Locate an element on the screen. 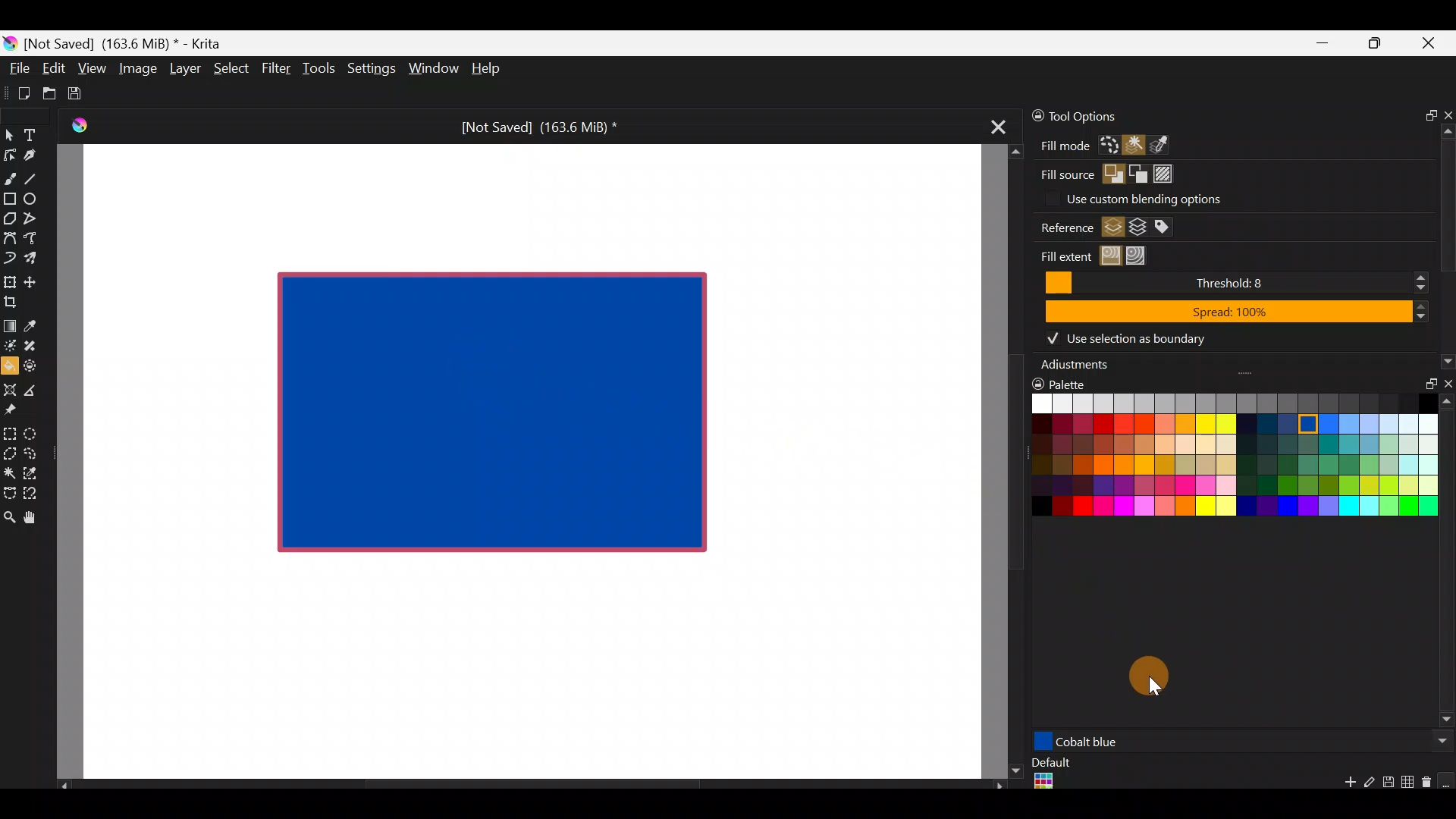 The width and height of the screenshot is (1456, 819). Bezier curve tool is located at coordinates (9, 236).